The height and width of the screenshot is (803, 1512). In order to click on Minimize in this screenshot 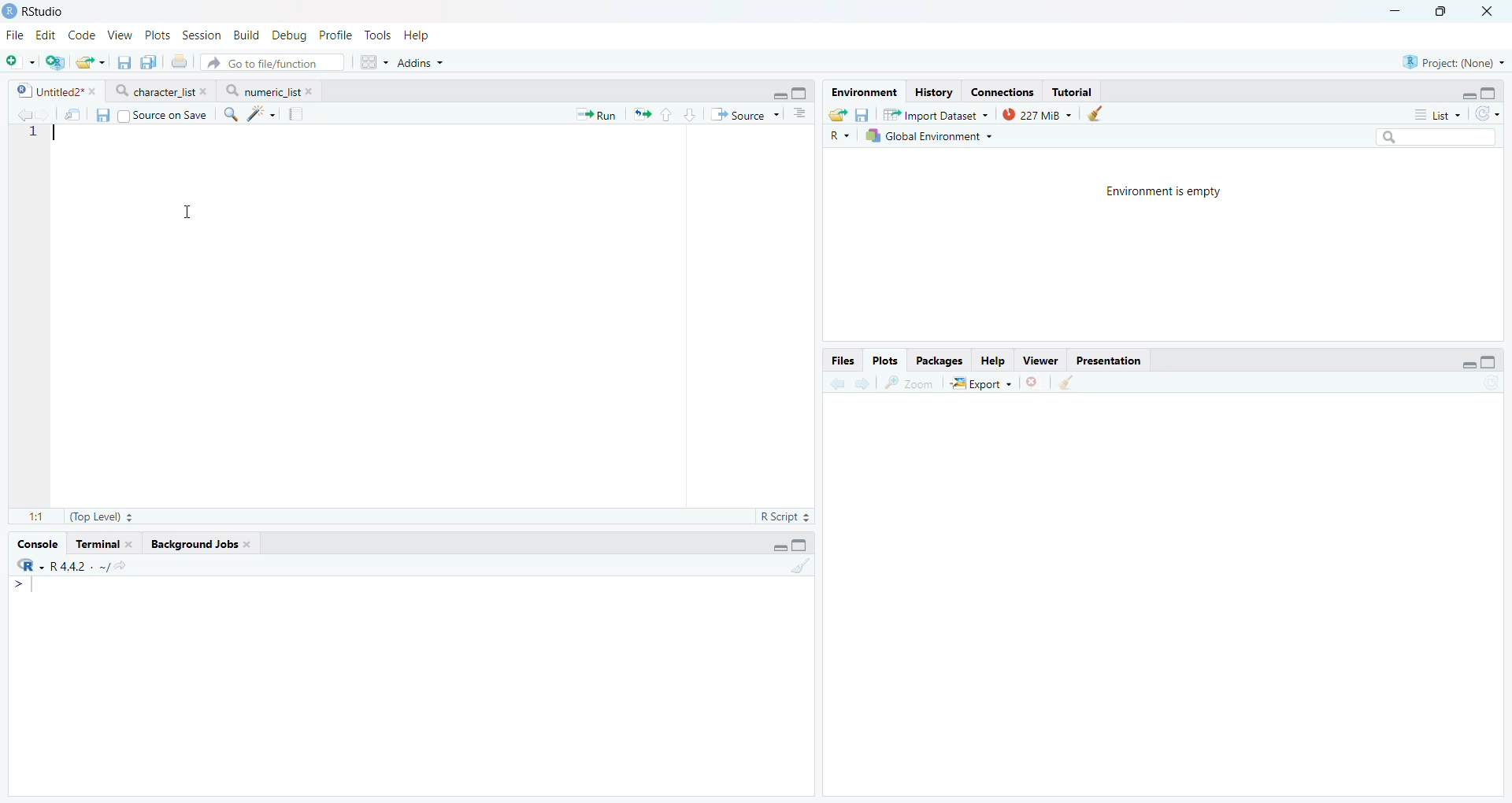, I will do `click(1396, 10)`.